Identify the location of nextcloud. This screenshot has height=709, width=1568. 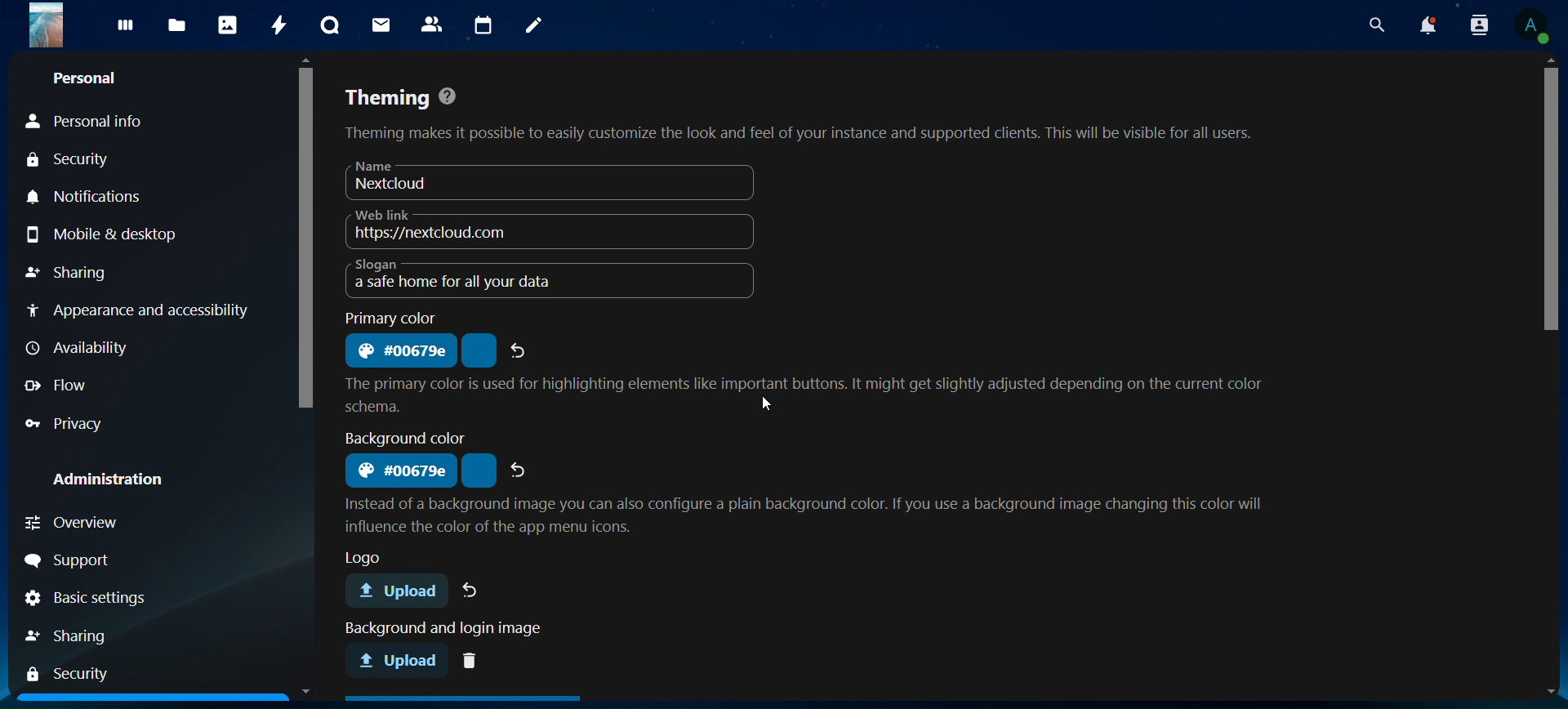
(515, 181).